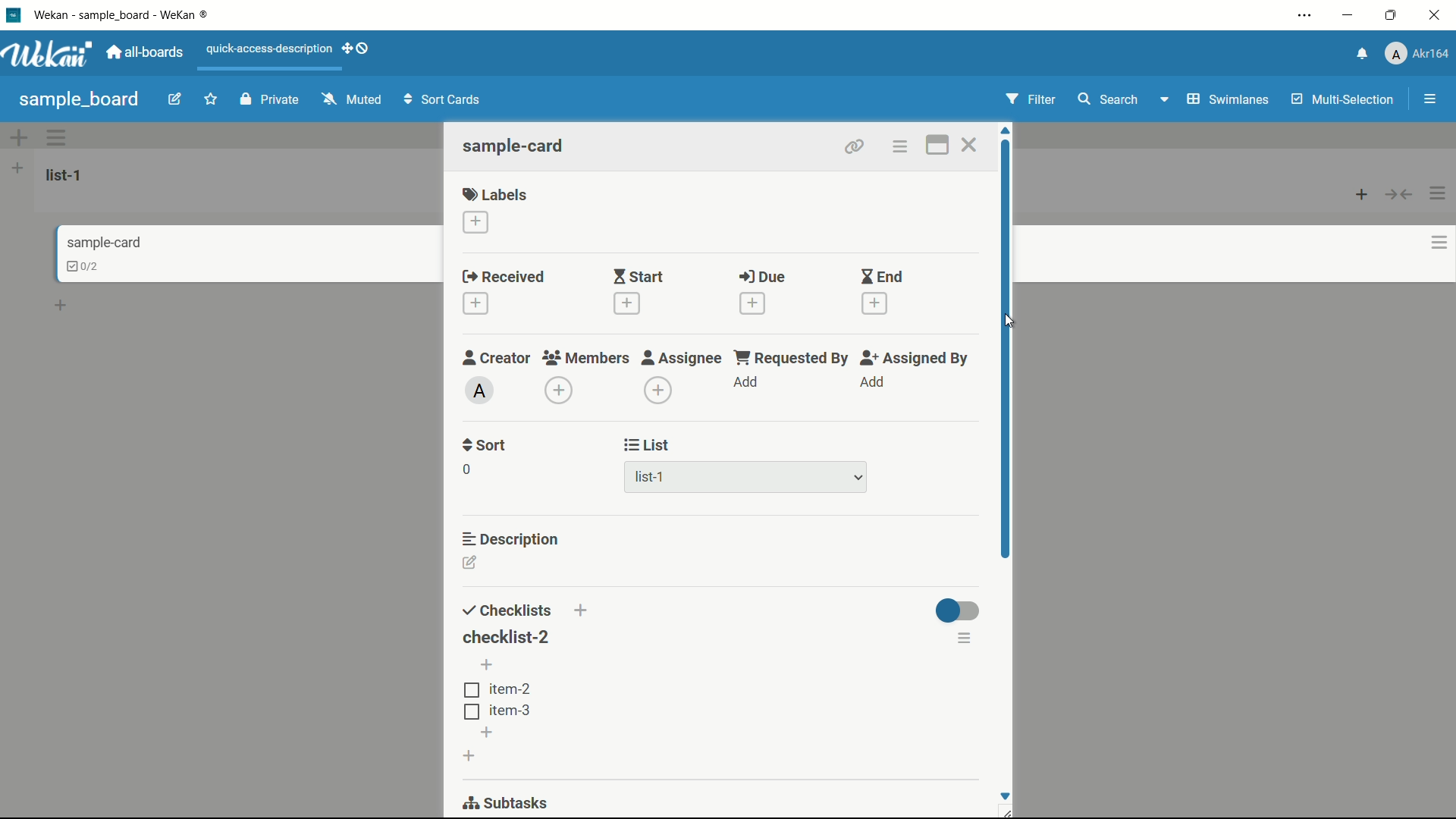  What do you see at coordinates (507, 636) in the screenshot?
I see `checklist-2` at bounding box center [507, 636].